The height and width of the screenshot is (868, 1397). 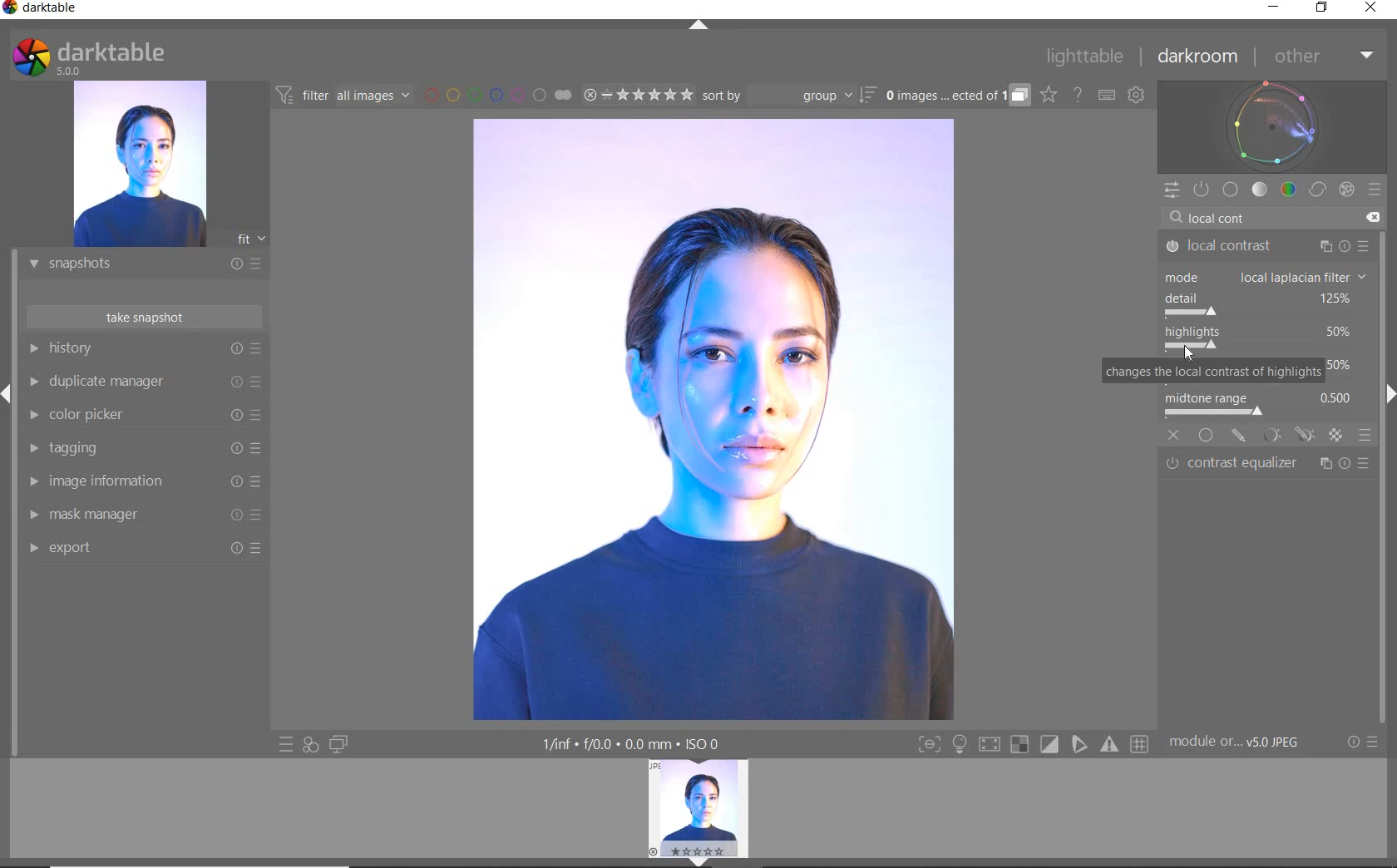 What do you see at coordinates (704, 861) in the screenshot?
I see `EXPAND/COLLAPSE` at bounding box center [704, 861].